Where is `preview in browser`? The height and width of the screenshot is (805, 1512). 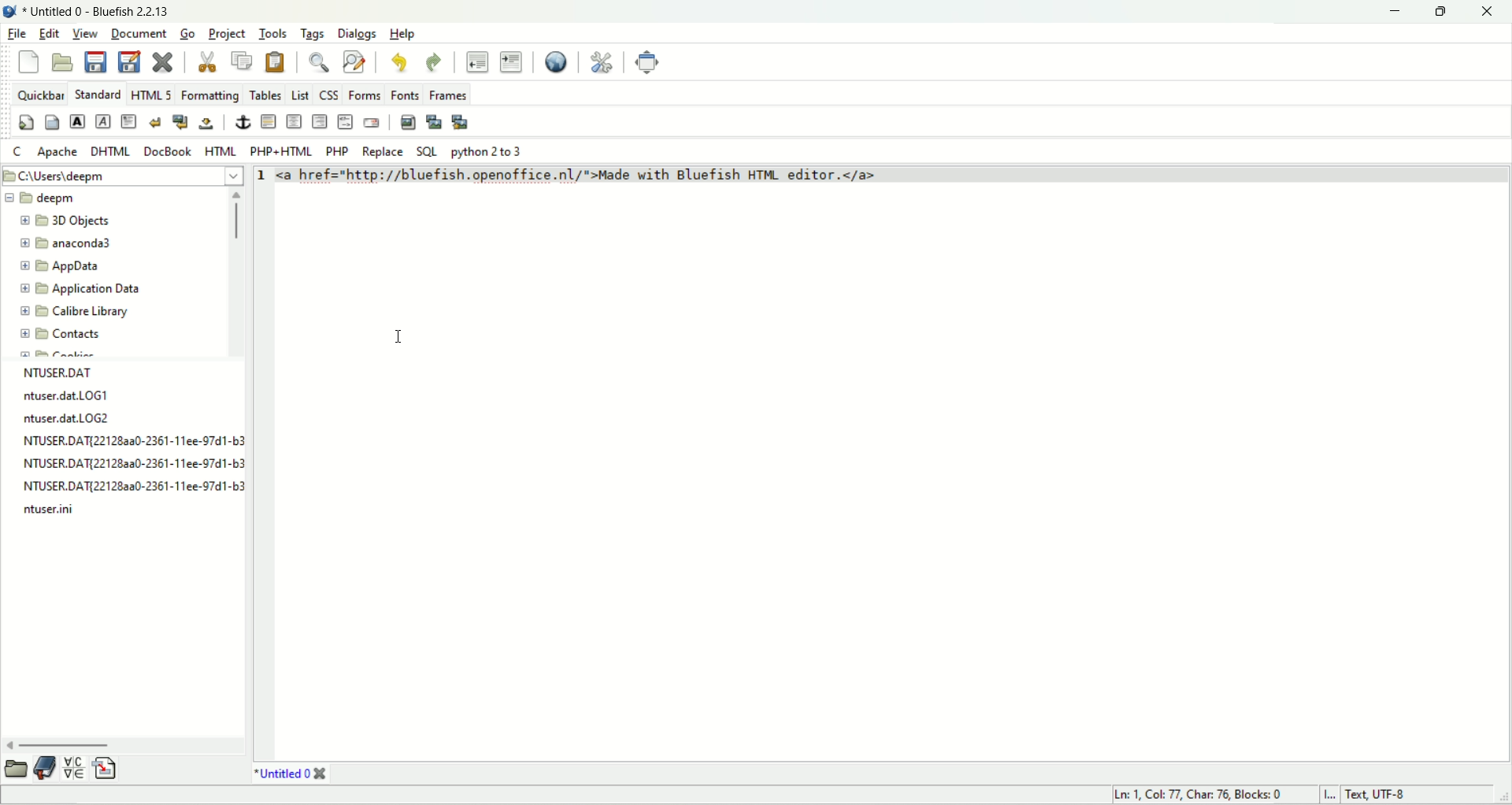
preview in browser is located at coordinates (557, 61).